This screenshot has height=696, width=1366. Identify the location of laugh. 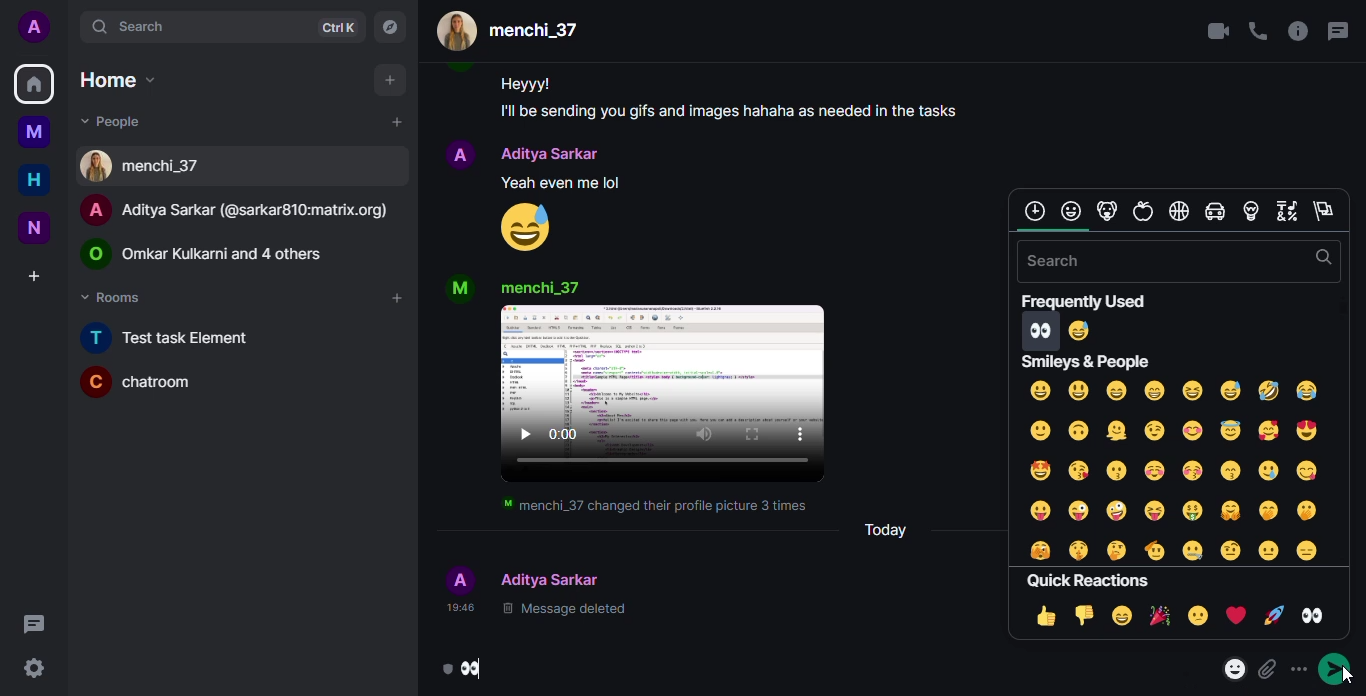
(1121, 617).